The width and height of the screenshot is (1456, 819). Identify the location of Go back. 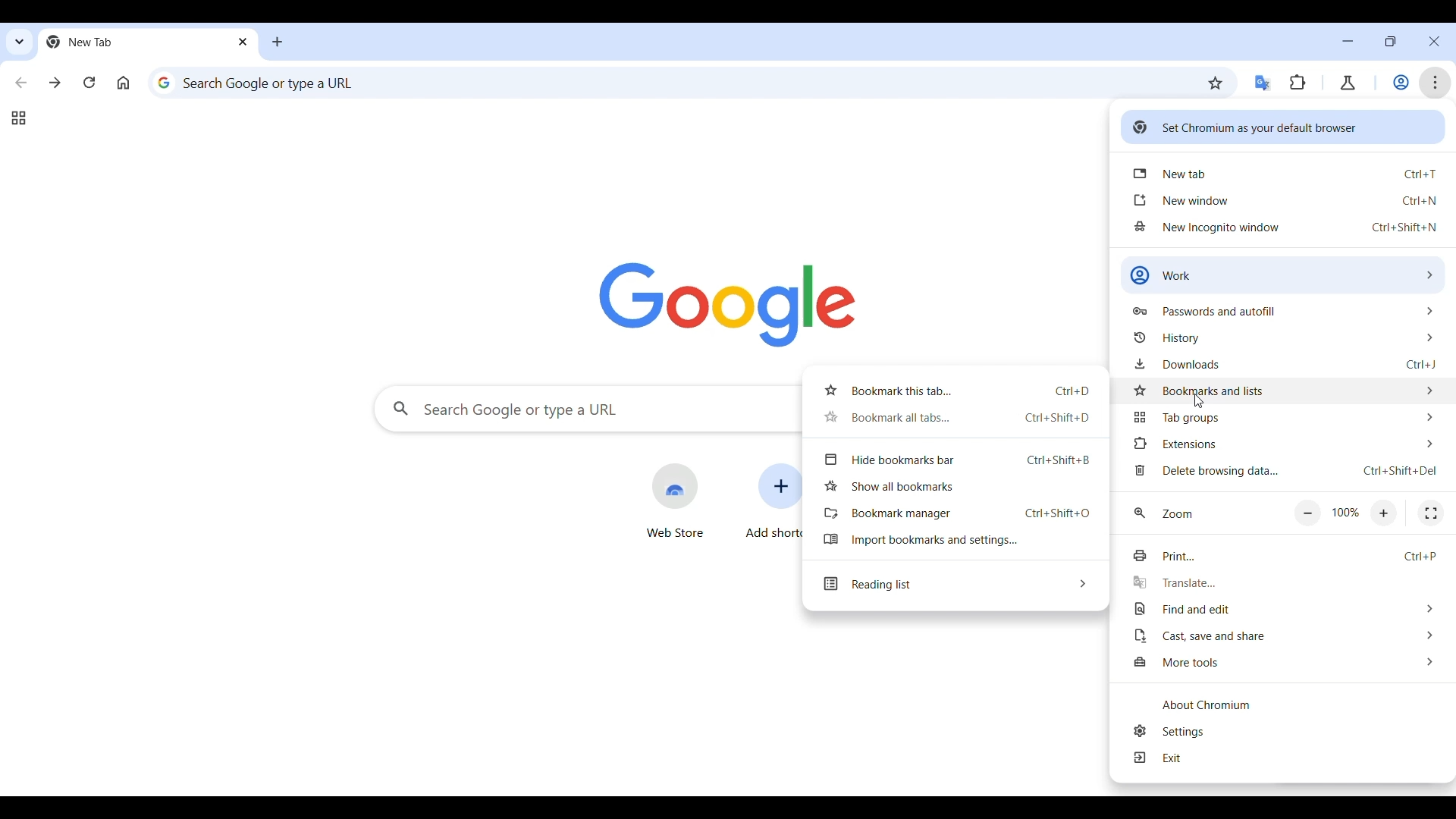
(21, 83).